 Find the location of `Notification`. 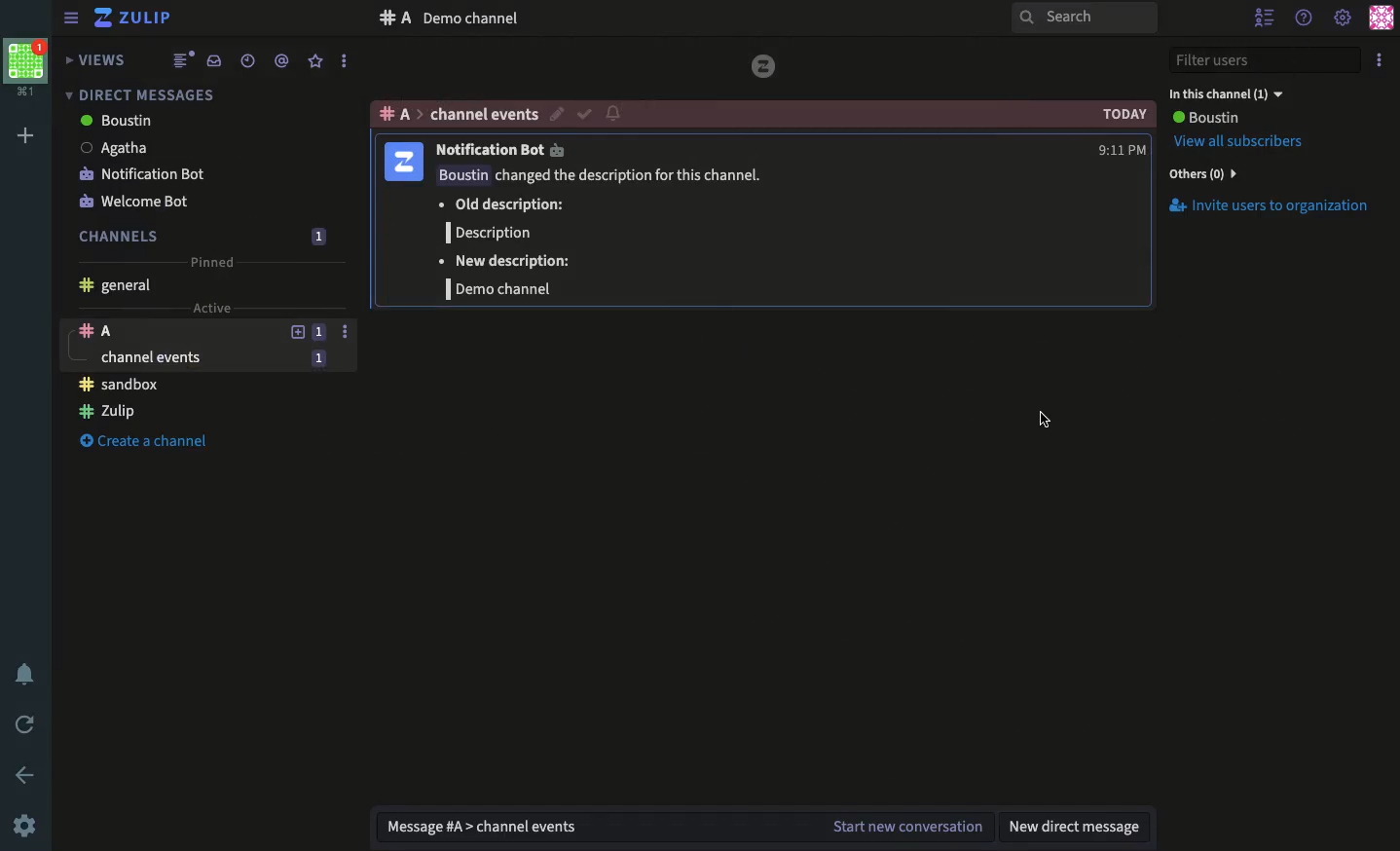

Notification is located at coordinates (25, 676).